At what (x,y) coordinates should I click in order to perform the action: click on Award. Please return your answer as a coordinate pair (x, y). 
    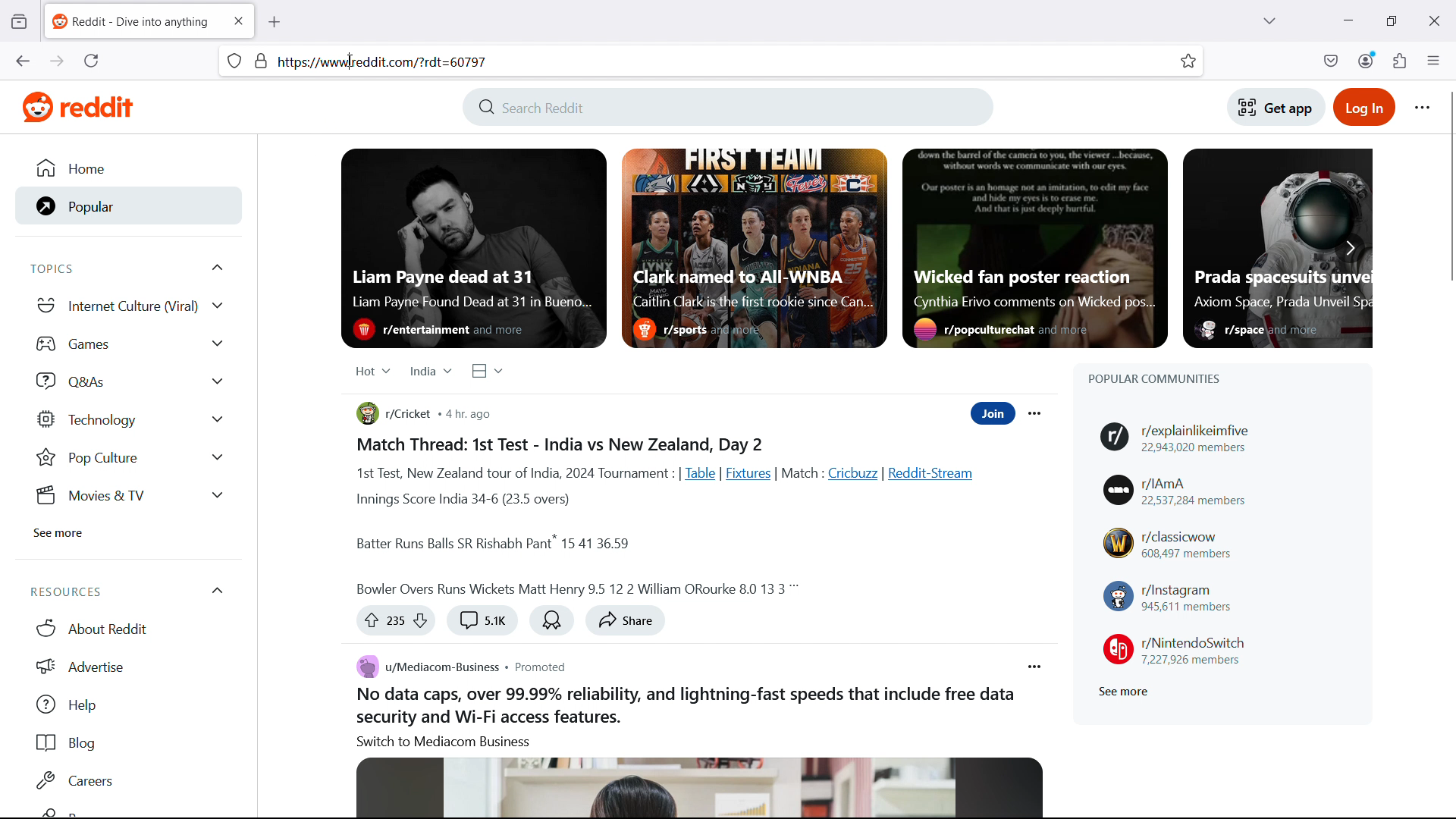
    Looking at the image, I should click on (552, 620).